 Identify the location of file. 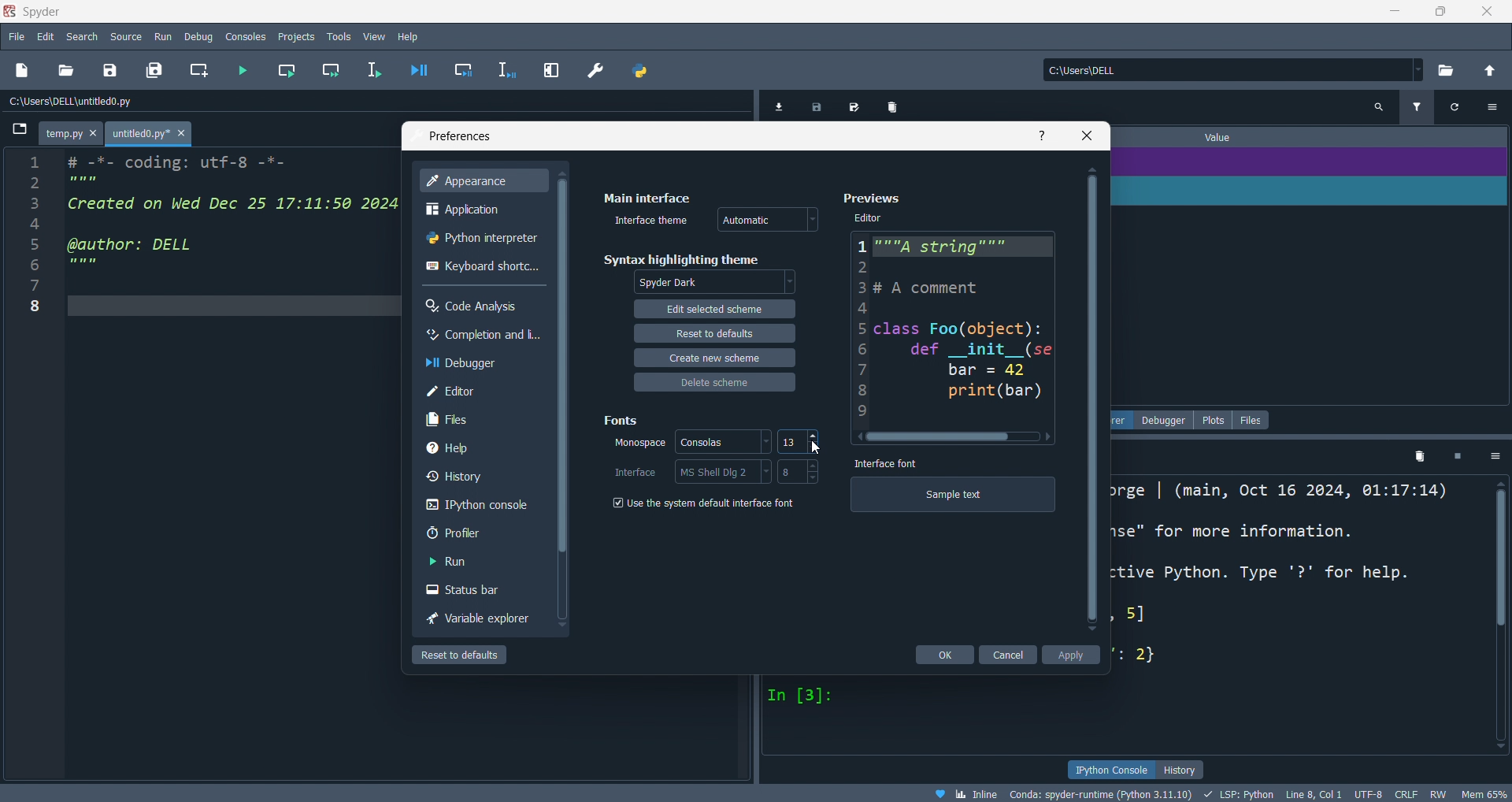
(17, 36).